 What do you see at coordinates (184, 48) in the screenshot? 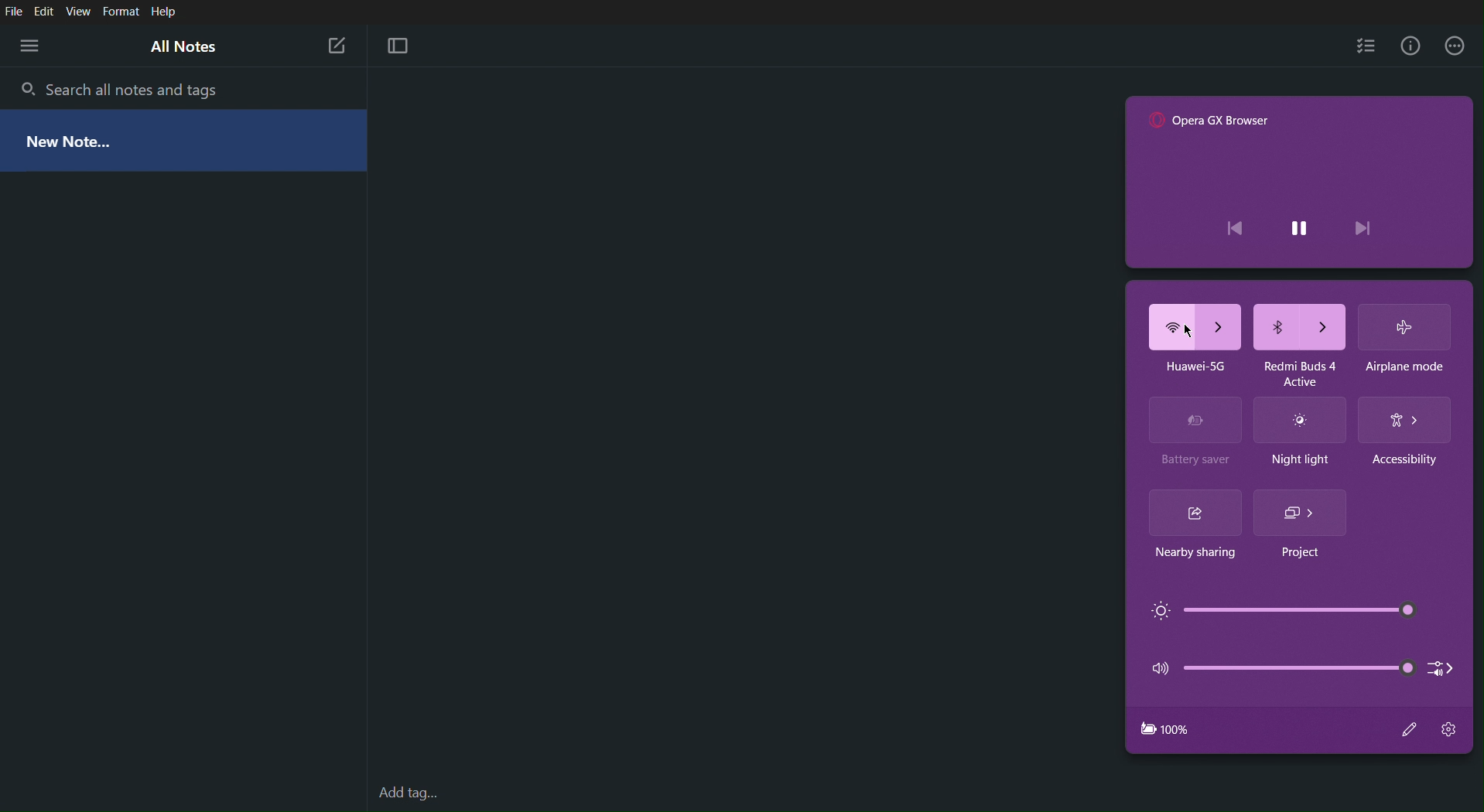
I see `All Notes` at bounding box center [184, 48].